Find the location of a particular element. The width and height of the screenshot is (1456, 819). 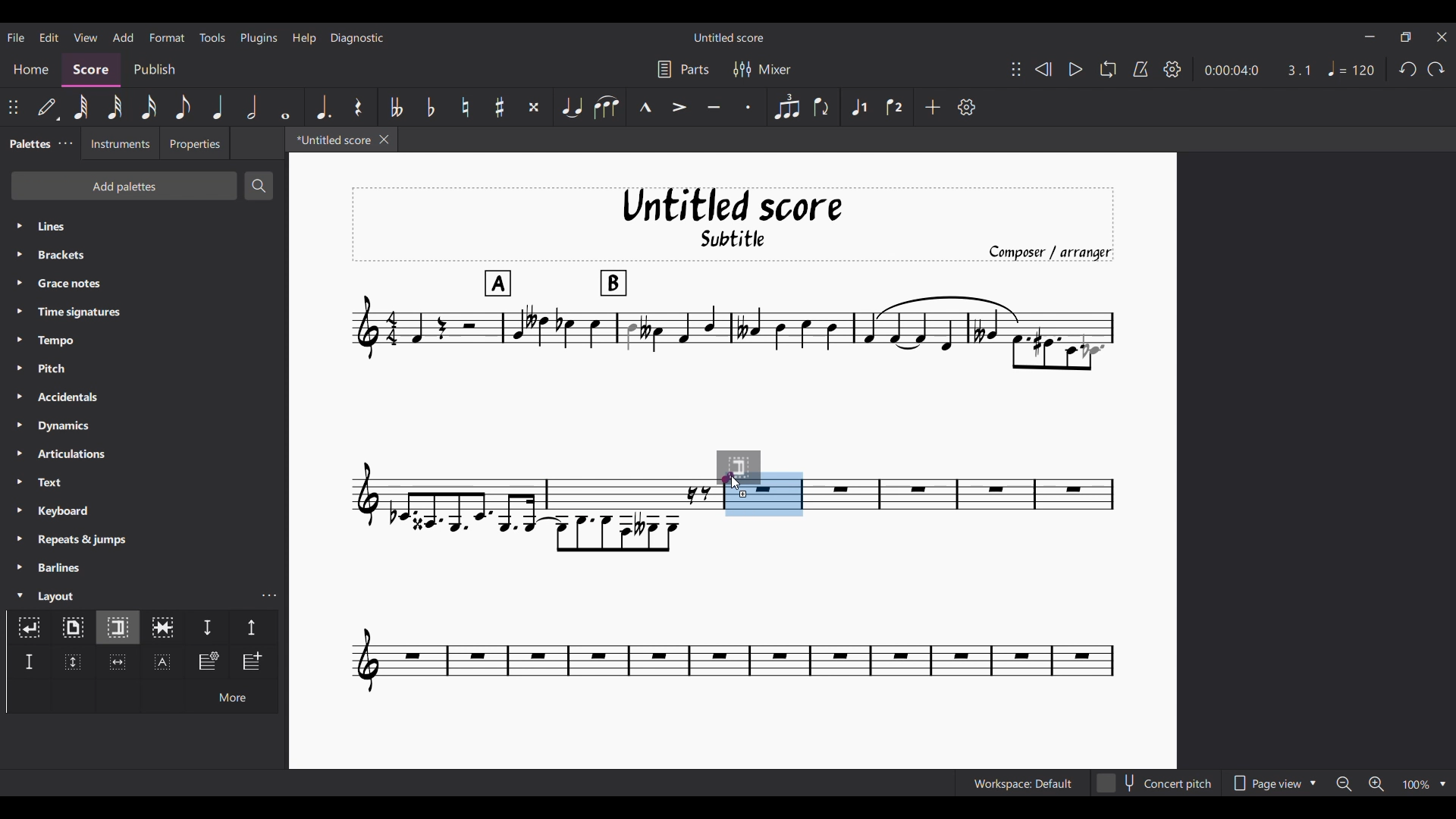

Layout is located at coordinates (129, 595).